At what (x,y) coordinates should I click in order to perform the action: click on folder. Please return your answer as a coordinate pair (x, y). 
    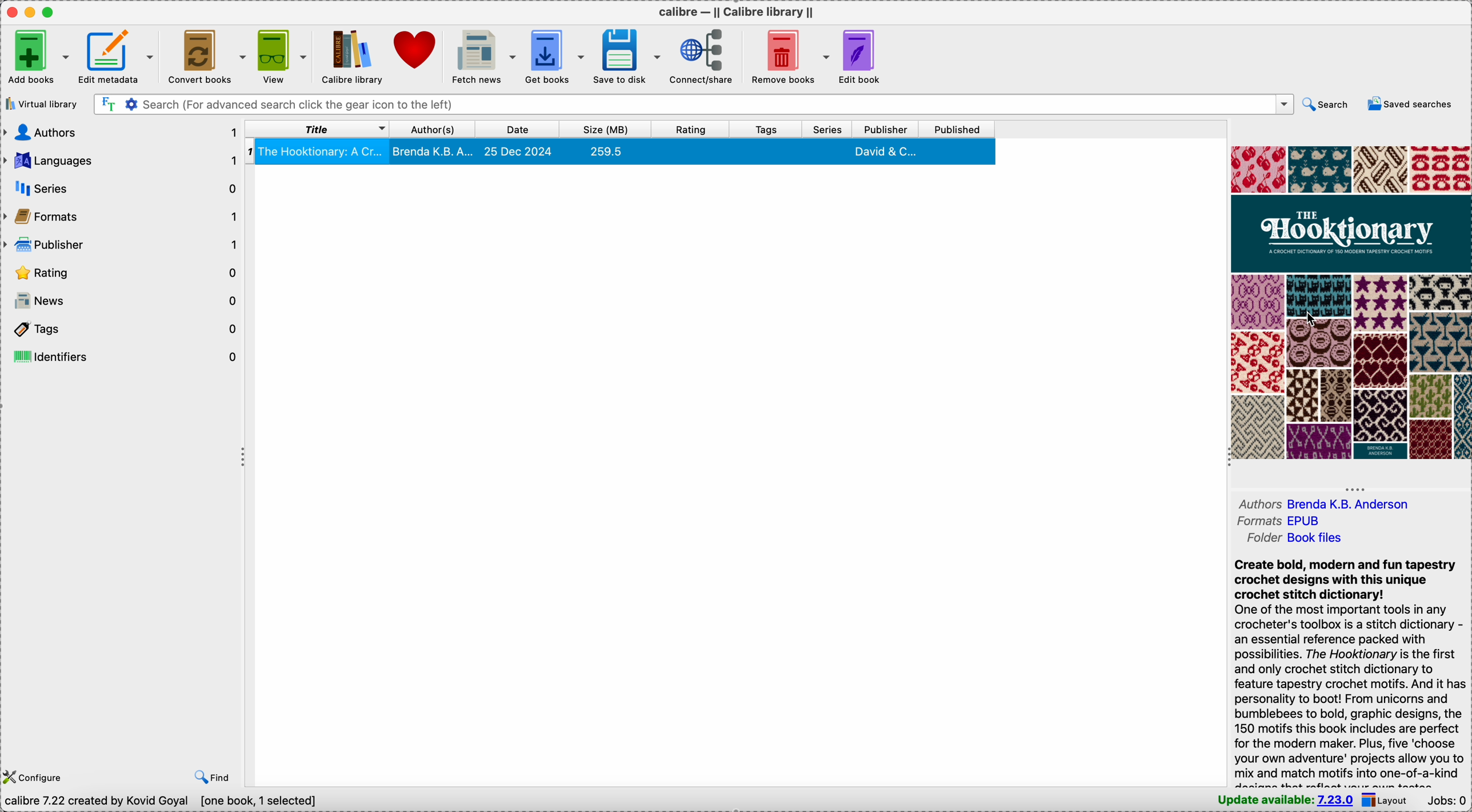
    Looking at the image, I should click on (1298, 539).